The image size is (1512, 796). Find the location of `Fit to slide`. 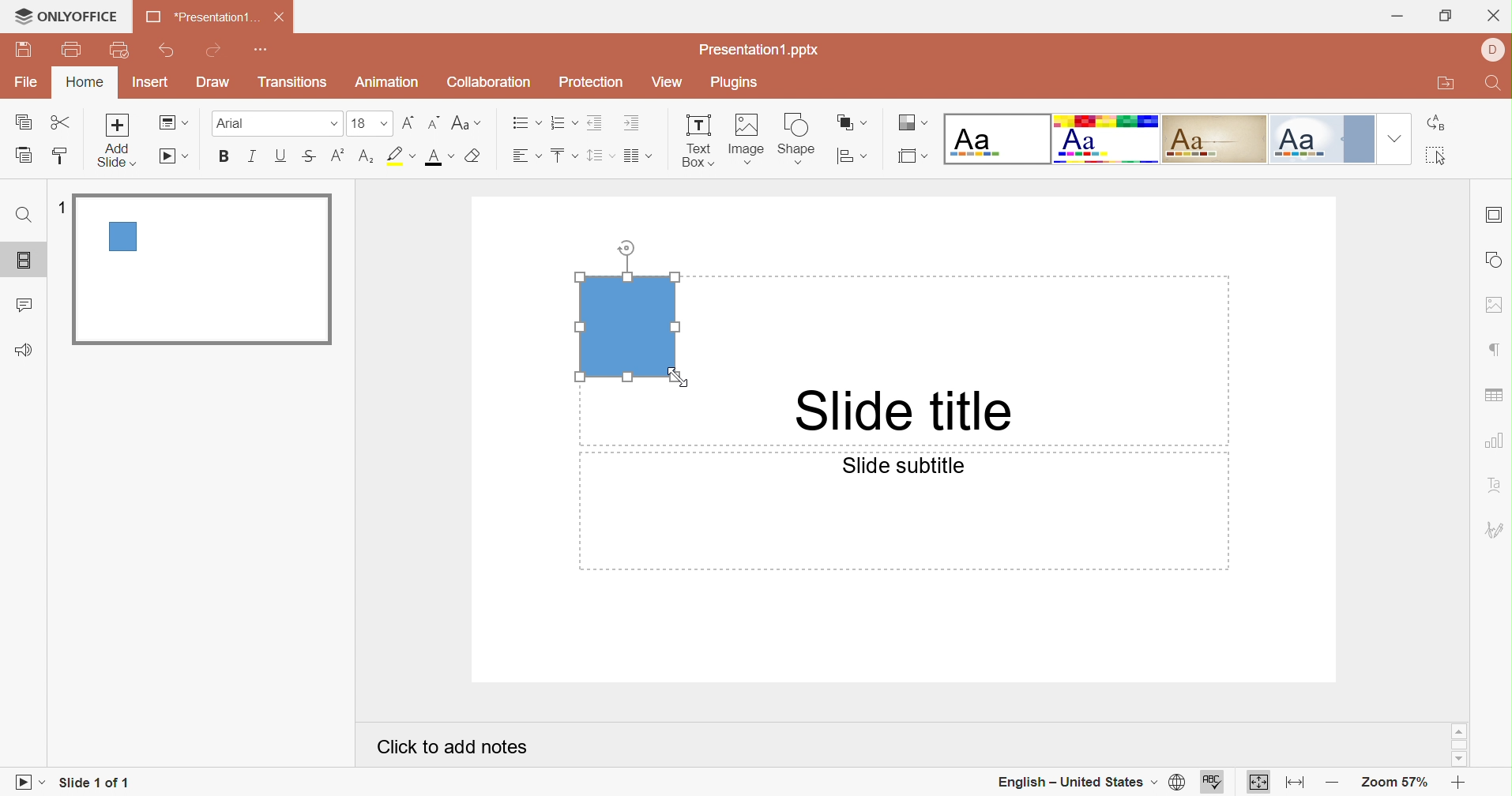

Fit to slide is located at coordinates (1260, 785).